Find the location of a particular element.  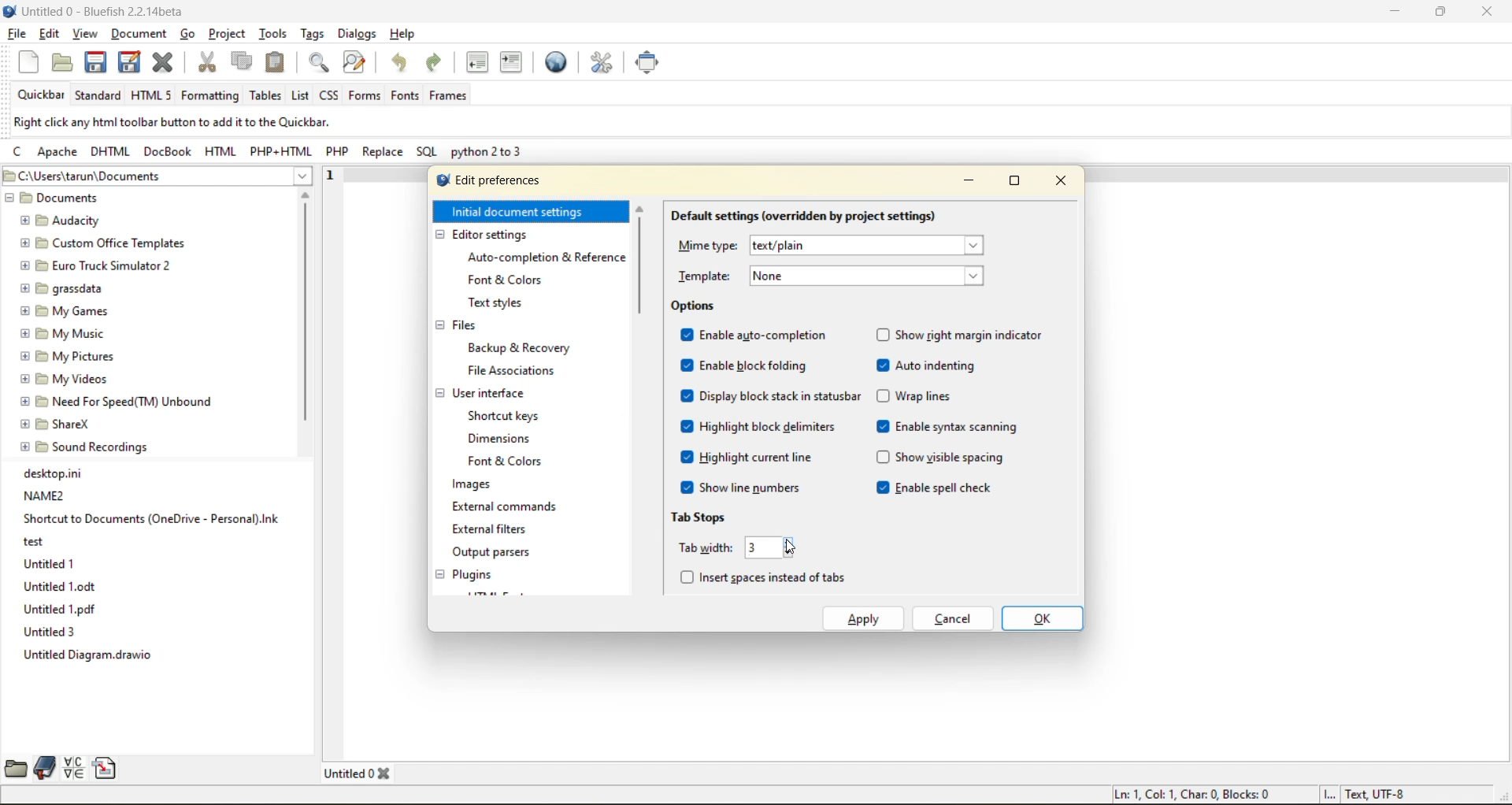

user interface is located at coordinates (491, 393).